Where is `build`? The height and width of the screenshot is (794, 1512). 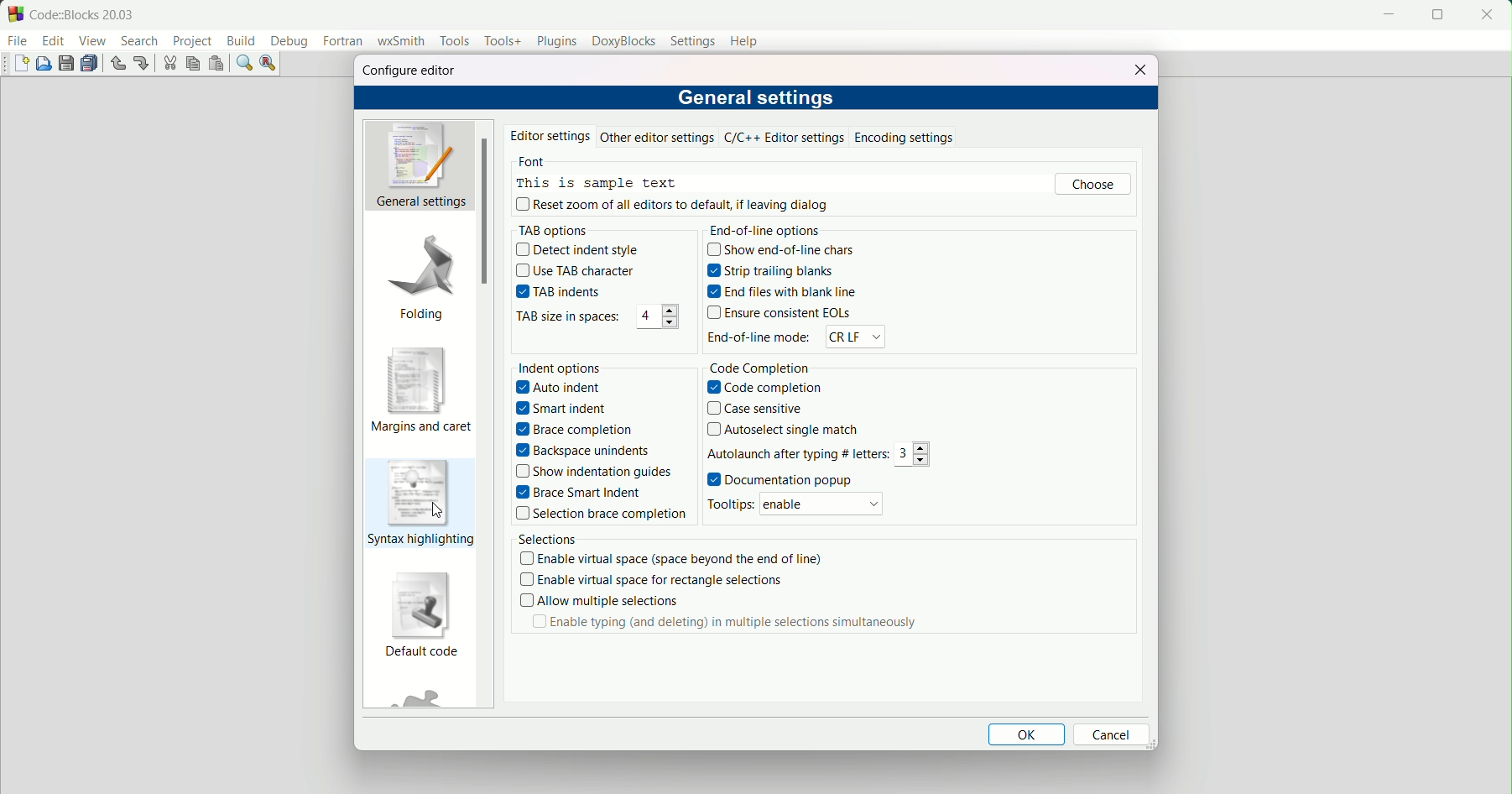 build is located at coordinates (242, 40).